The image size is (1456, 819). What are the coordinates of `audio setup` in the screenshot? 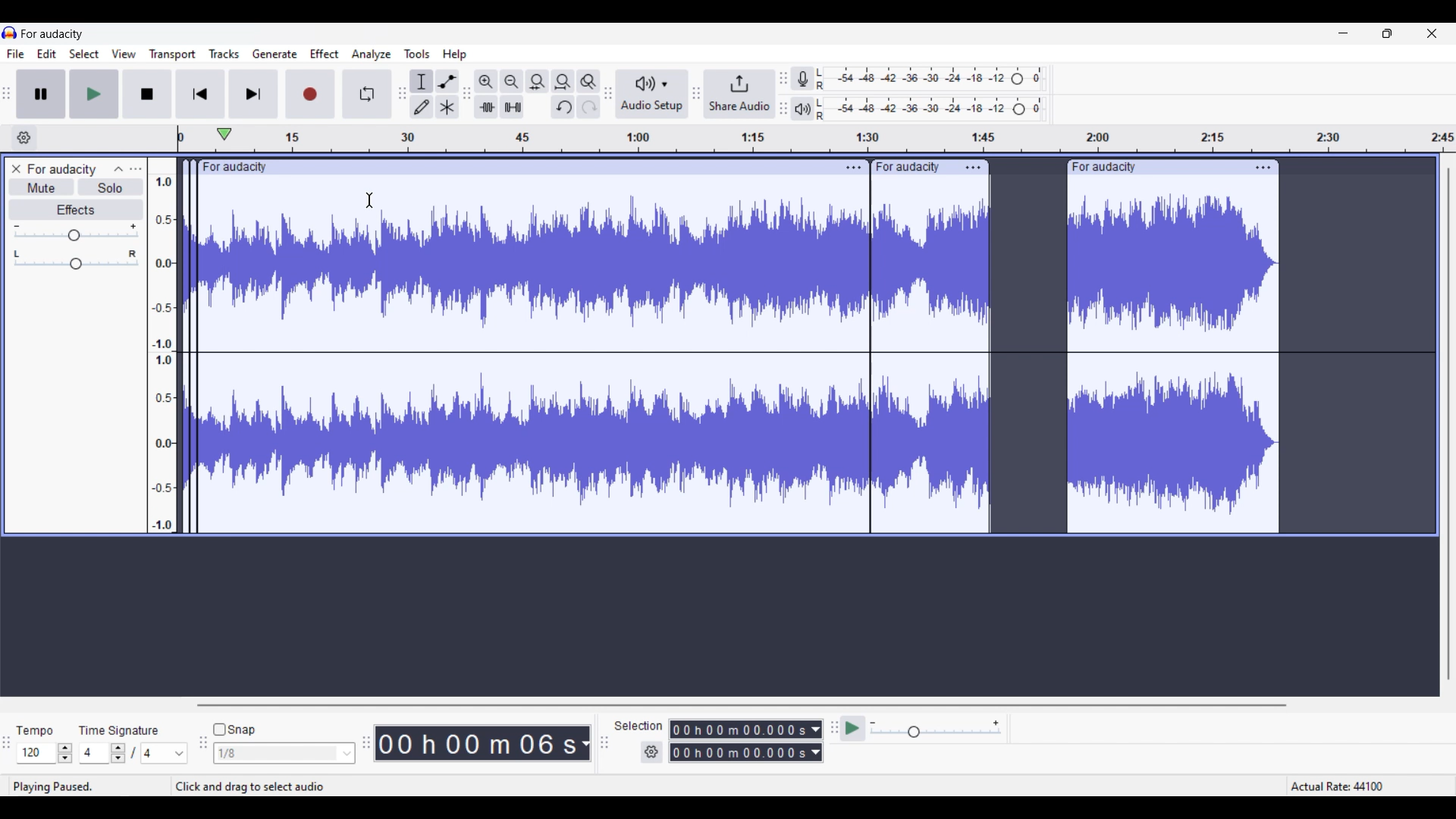 It's located at (651, 94).